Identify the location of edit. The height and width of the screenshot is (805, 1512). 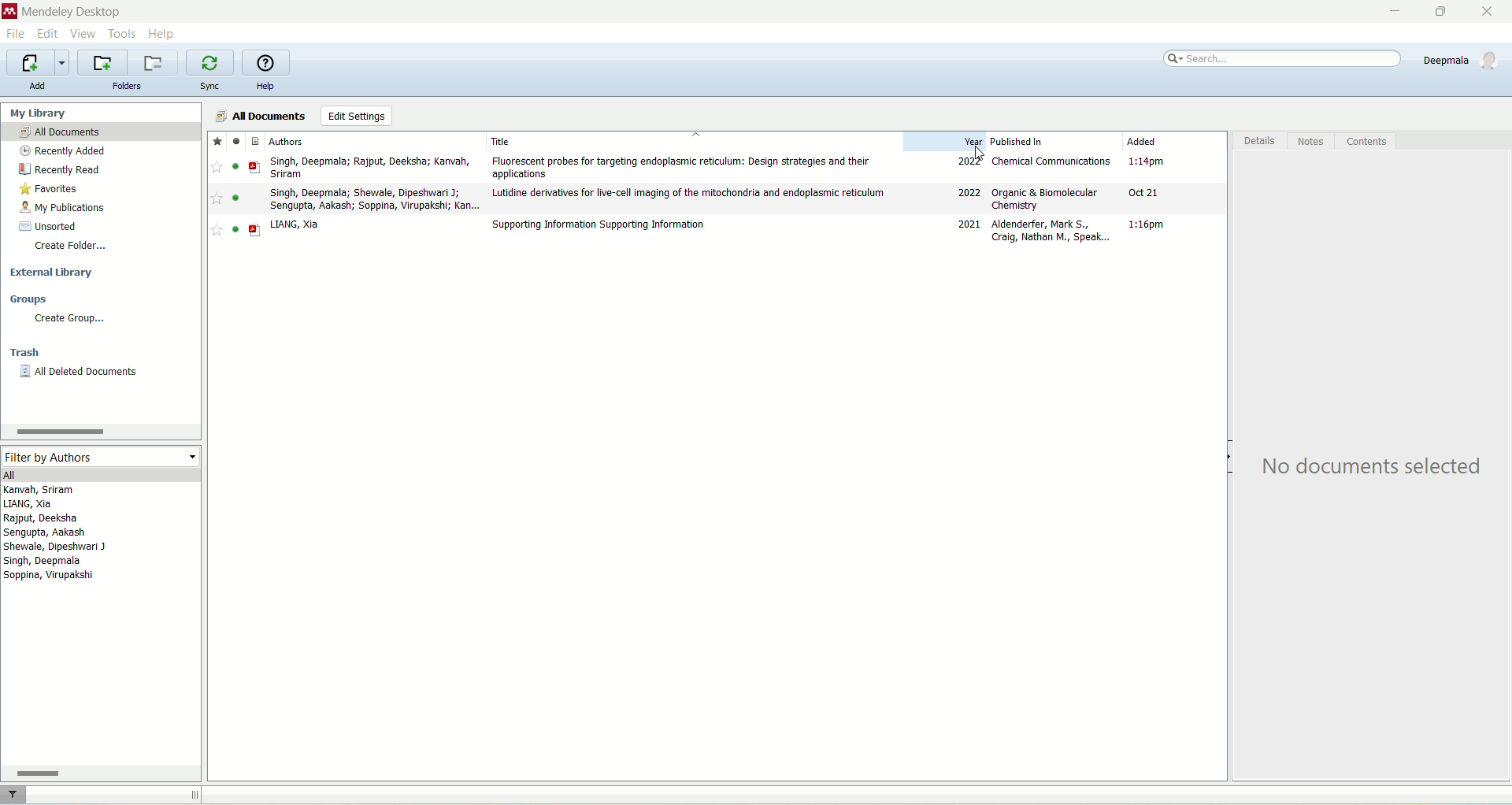
(47, 34).